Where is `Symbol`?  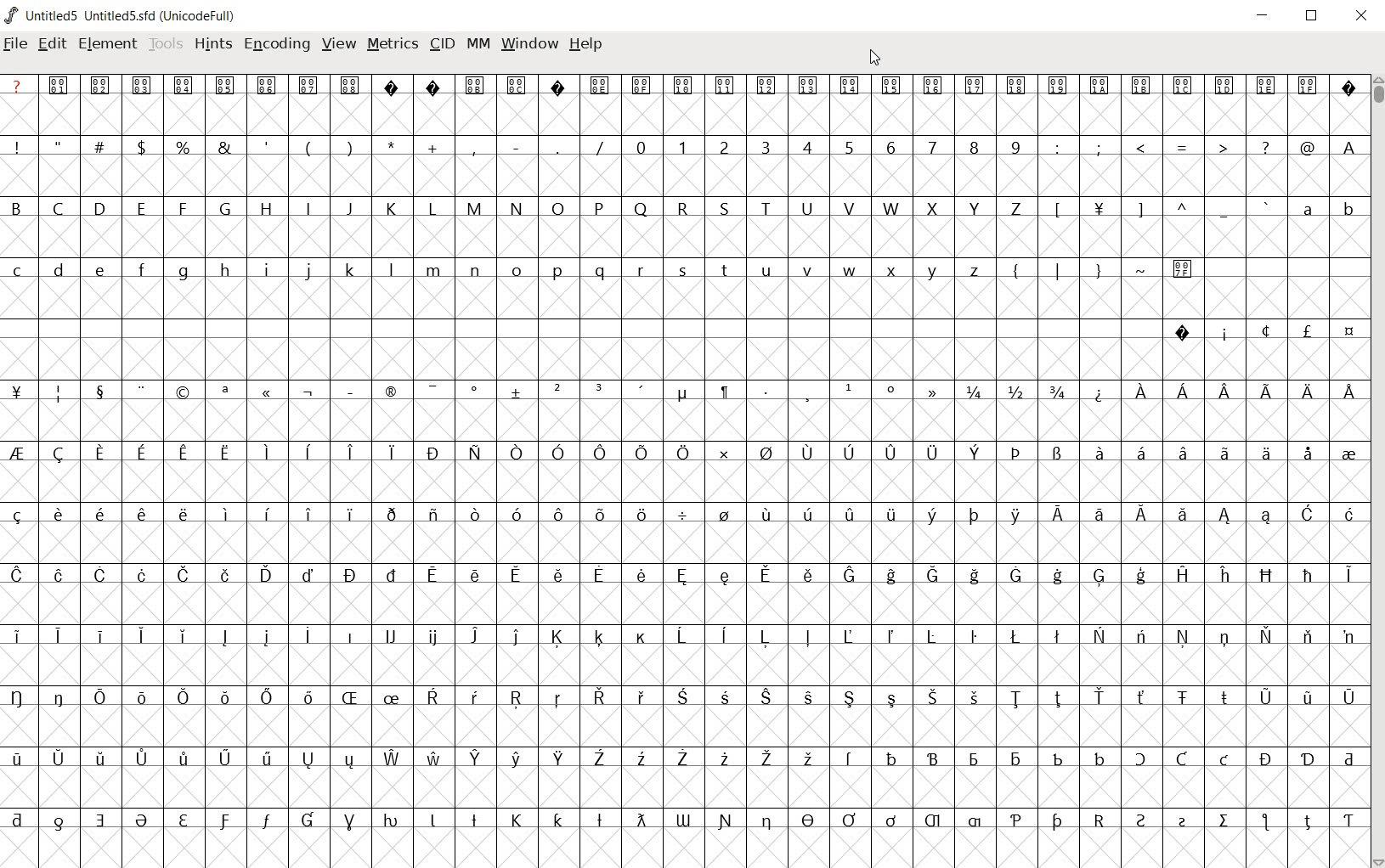
Symbol is located at coordinates (144, 822).